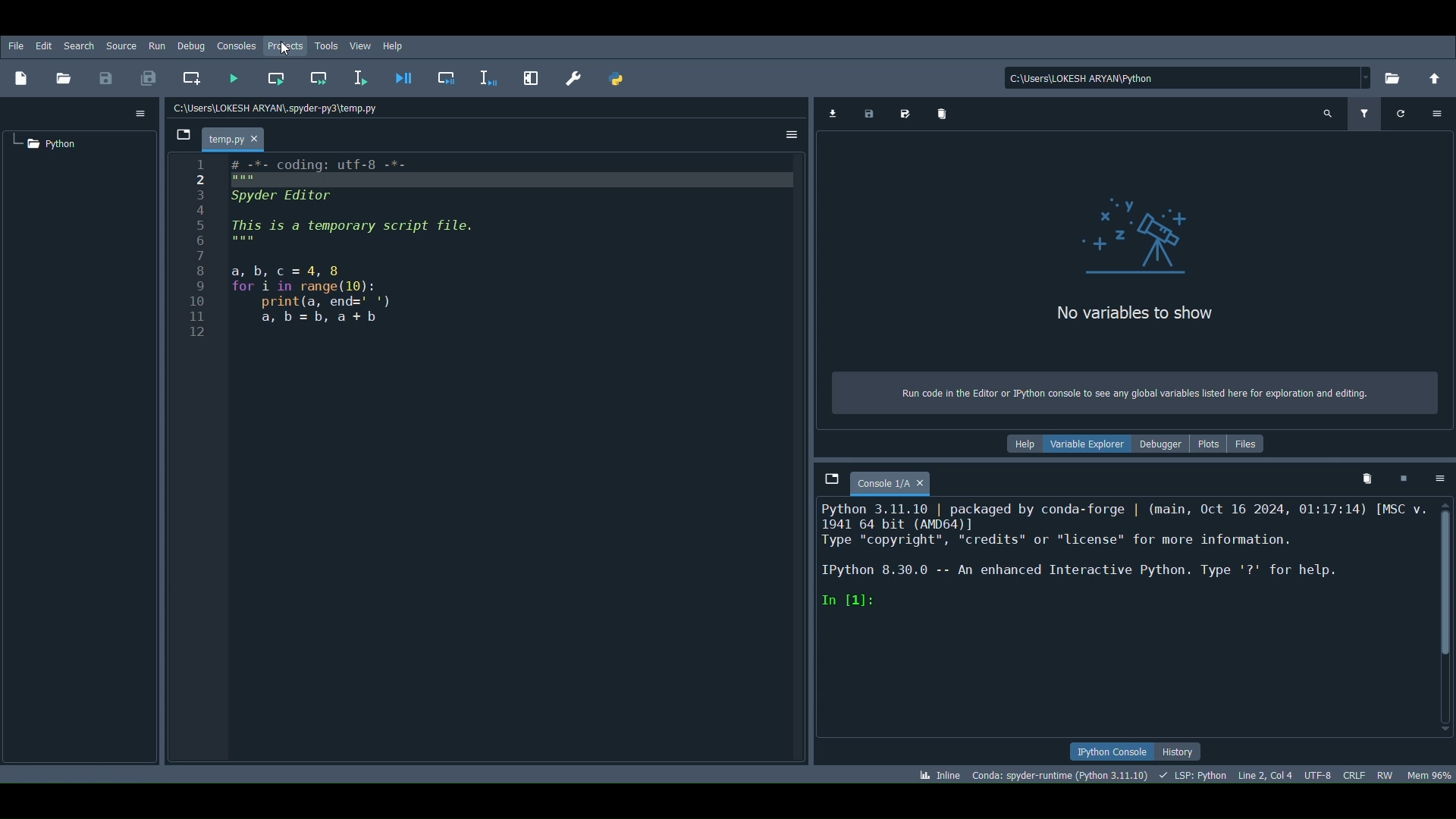 The height and width of the screenshot is (819, 1456). Describe the element at coordinates (282, 45) in the screenshot. I see `Projects` at that location.